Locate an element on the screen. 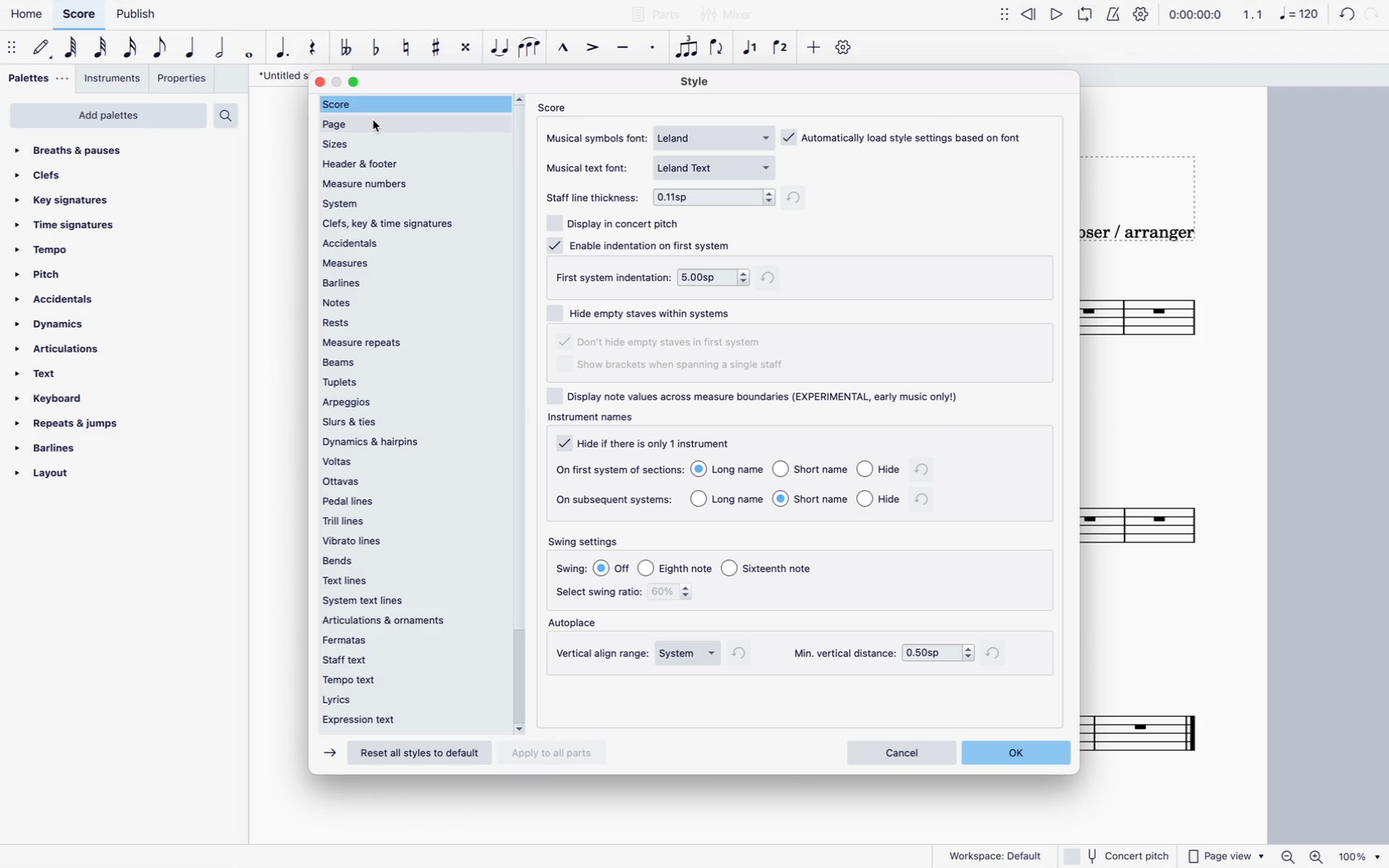  swing is located at coordinates (570, 569).